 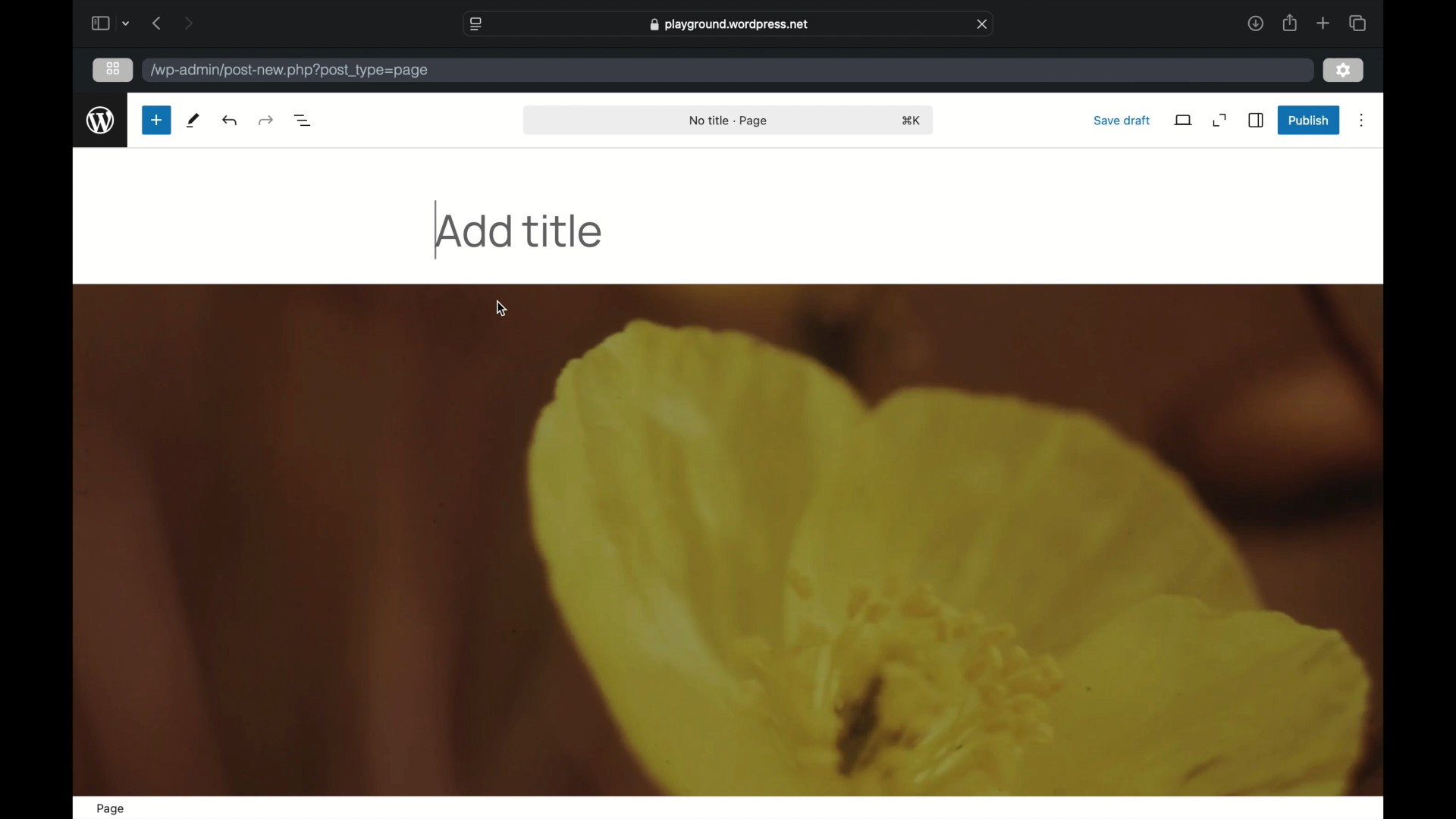 I want to click on tab group picker, so click(x=127, y=23).